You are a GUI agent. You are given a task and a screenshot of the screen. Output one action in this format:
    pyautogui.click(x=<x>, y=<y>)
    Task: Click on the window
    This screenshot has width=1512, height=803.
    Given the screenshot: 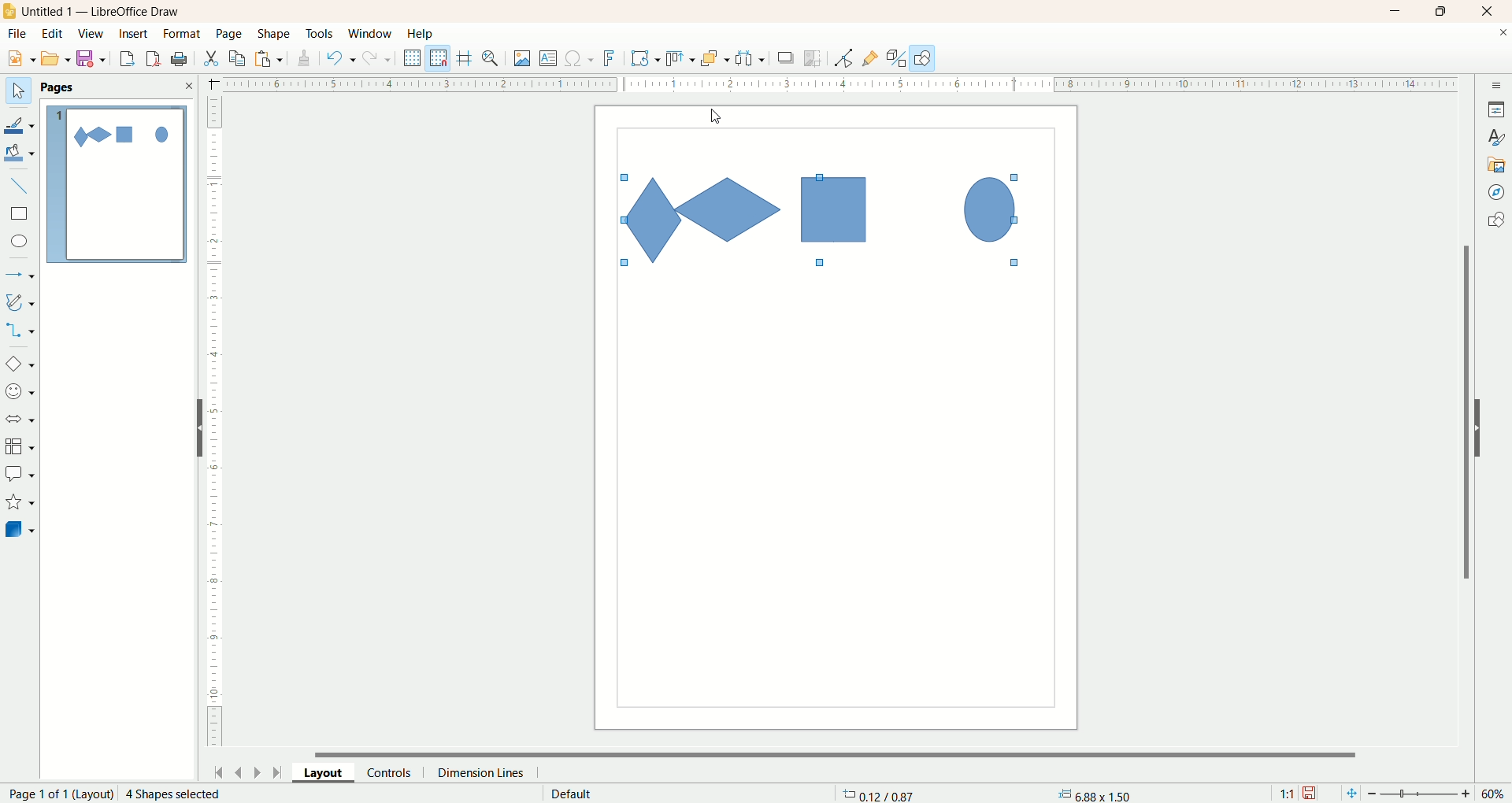 What is the action you would take?
    pyautogui.click(x=374, y=35)
    